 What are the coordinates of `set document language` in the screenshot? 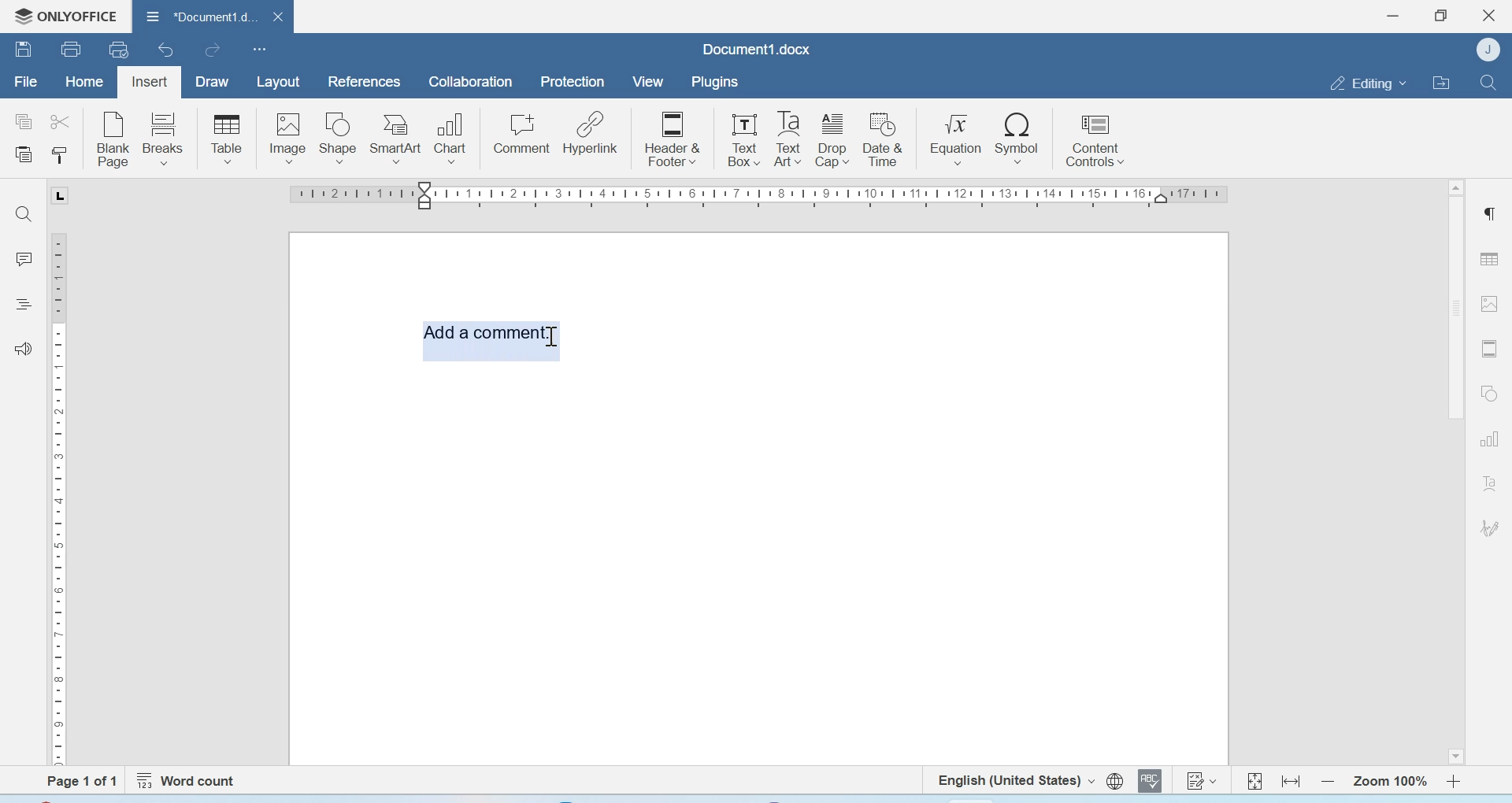 It's located at (1115, 781).